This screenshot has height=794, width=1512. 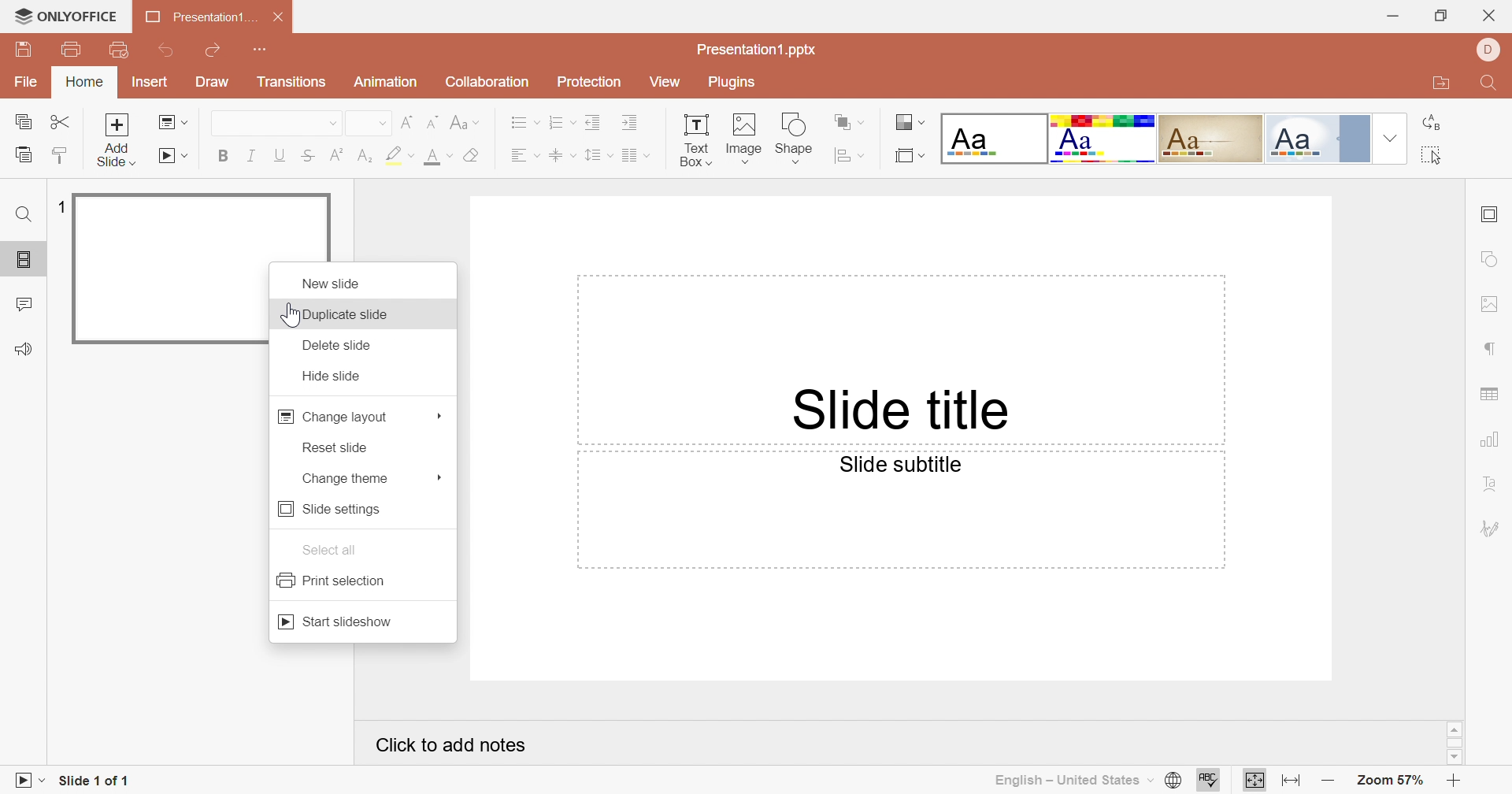 I want to click on Add slide, so click(x=117, y=139).